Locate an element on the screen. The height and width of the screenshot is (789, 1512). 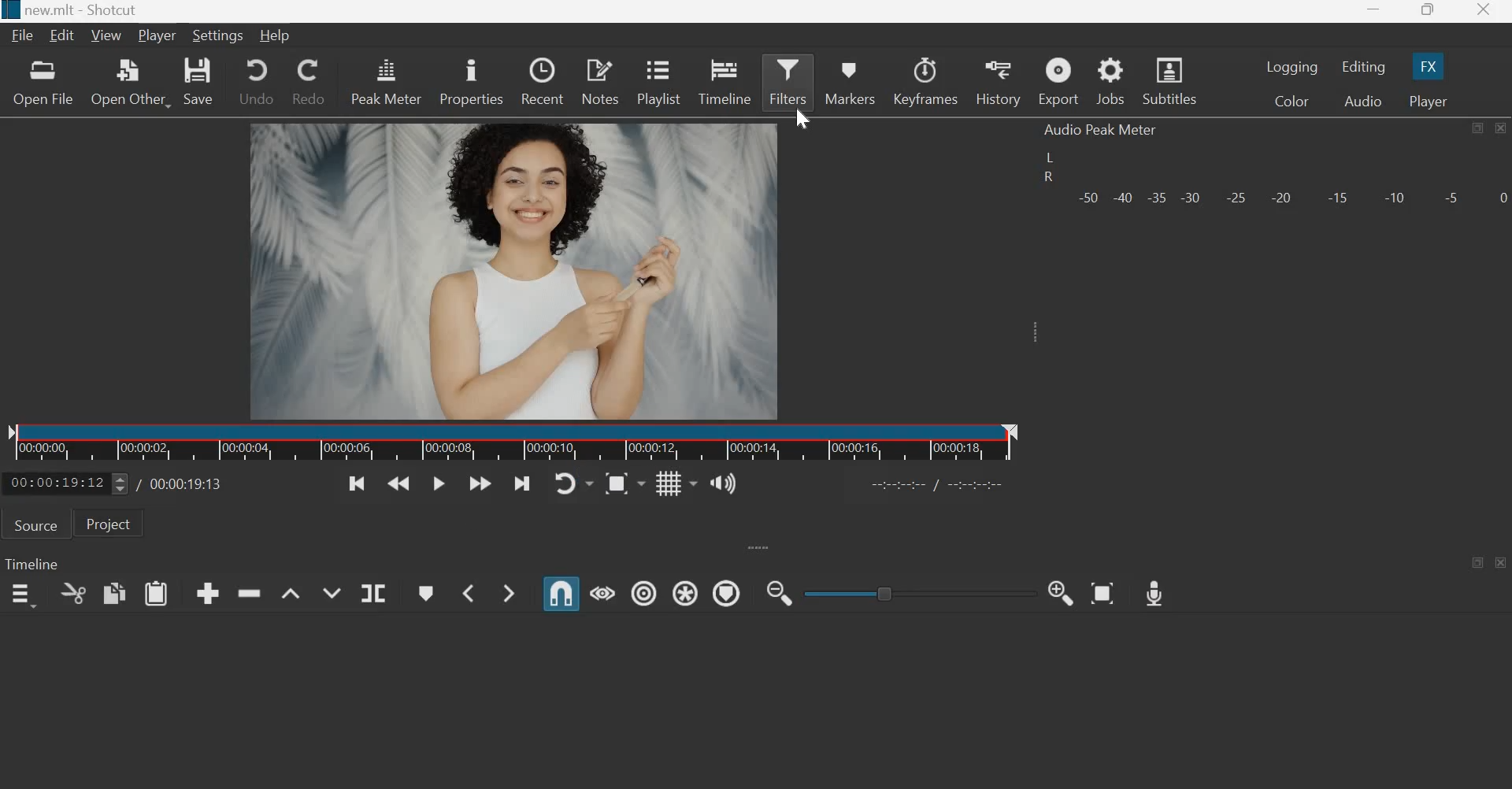
toggle is located at coordinates (922, 591).